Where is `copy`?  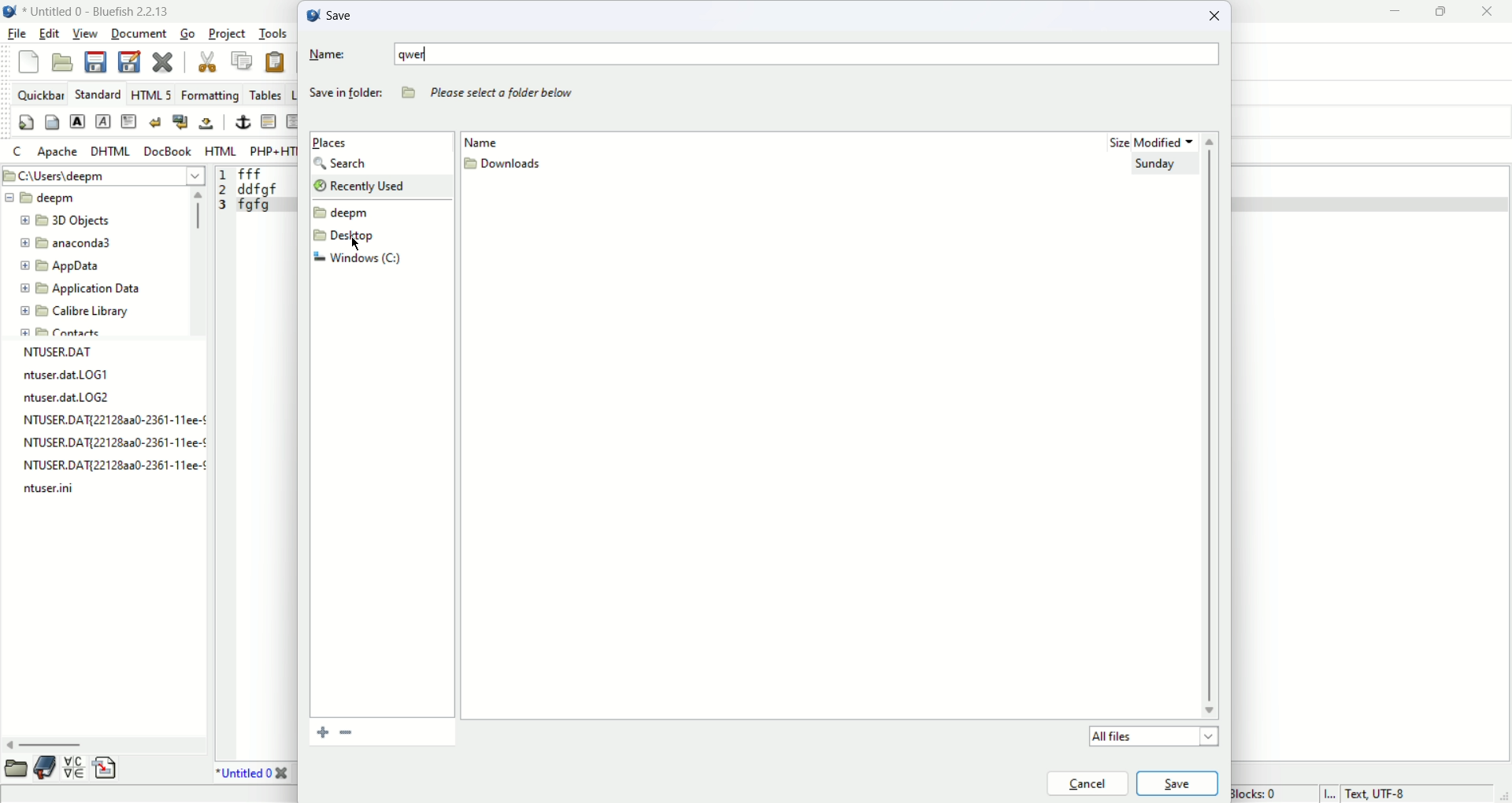
copy is located at coordinates (241, 59).